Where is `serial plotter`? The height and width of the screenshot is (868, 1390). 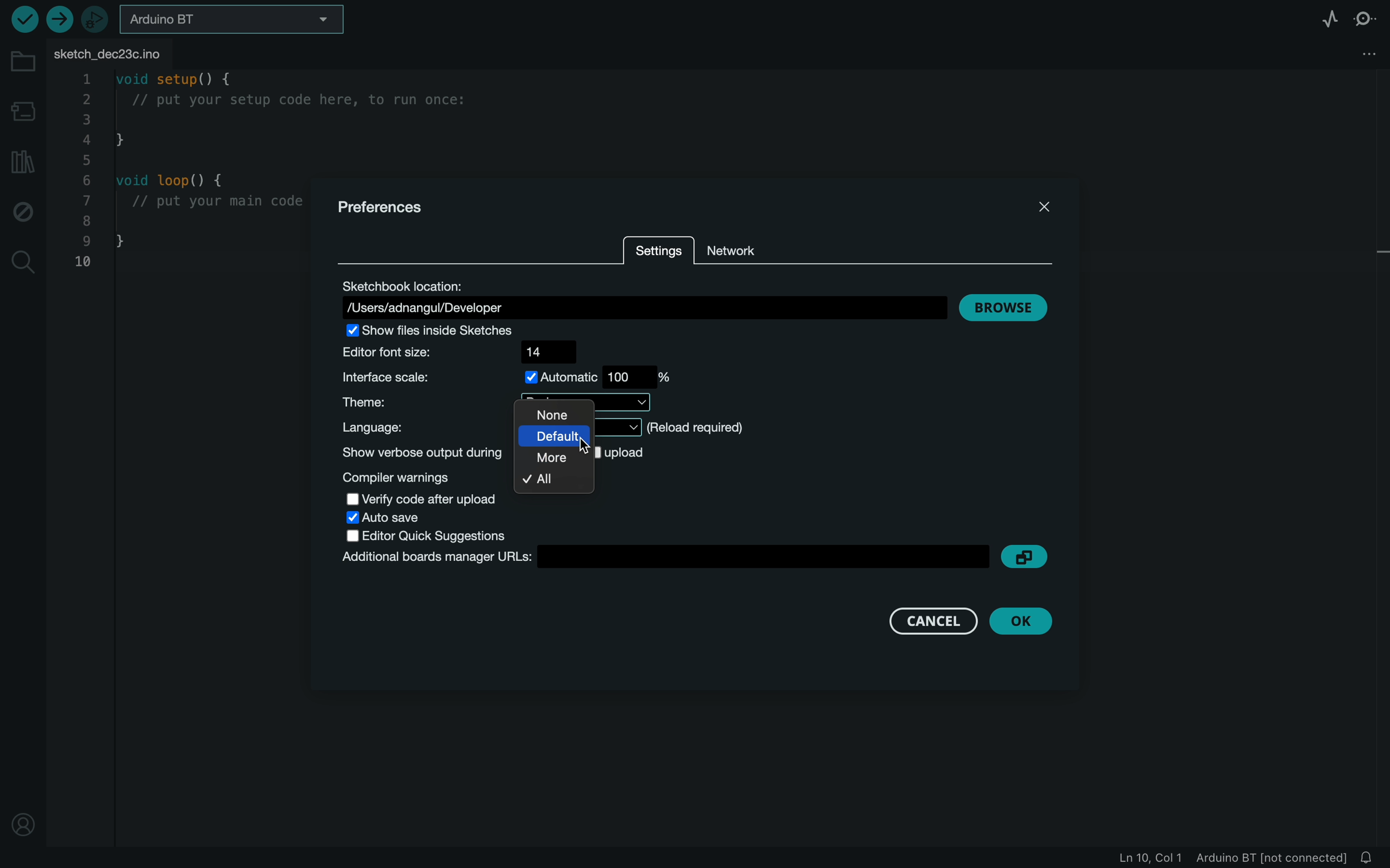 serial plotter is located at coordinates (1326, 17).